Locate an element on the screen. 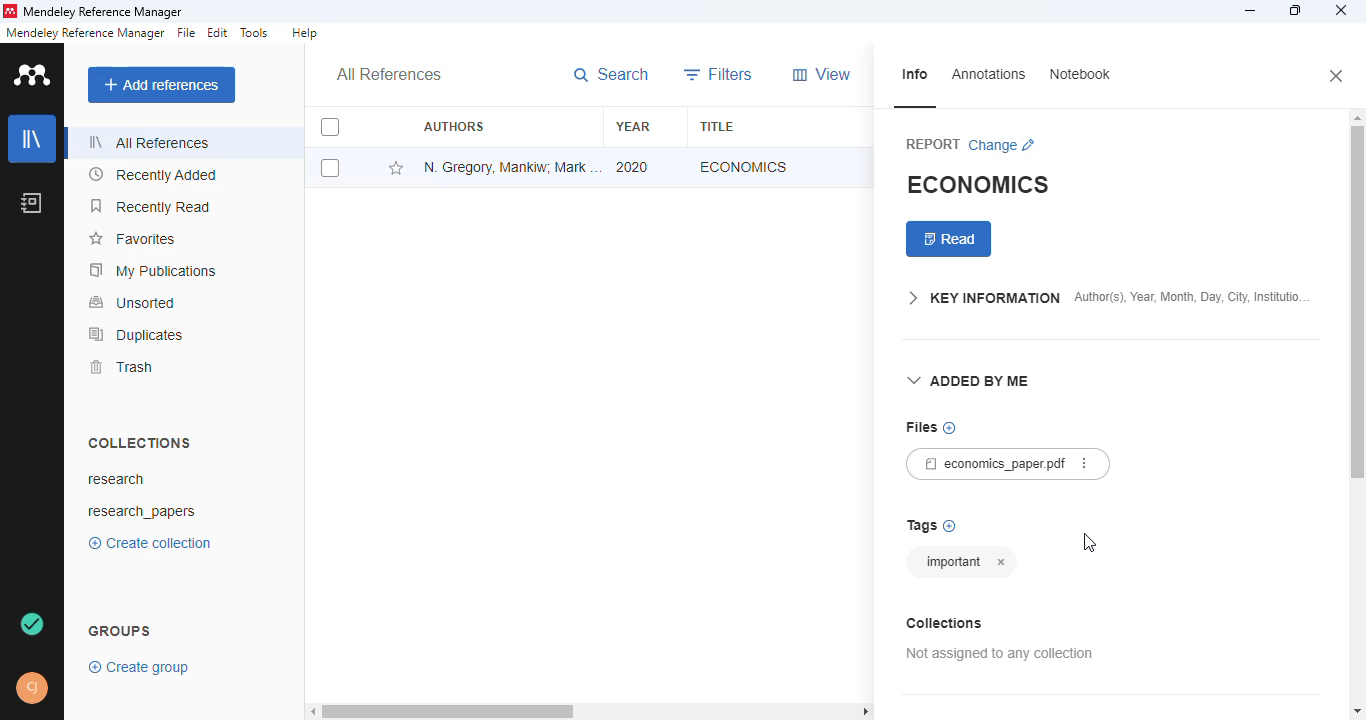 The height and width of the screenshot is (720, 1366). no files chosen is located at coordinates (949, 428).